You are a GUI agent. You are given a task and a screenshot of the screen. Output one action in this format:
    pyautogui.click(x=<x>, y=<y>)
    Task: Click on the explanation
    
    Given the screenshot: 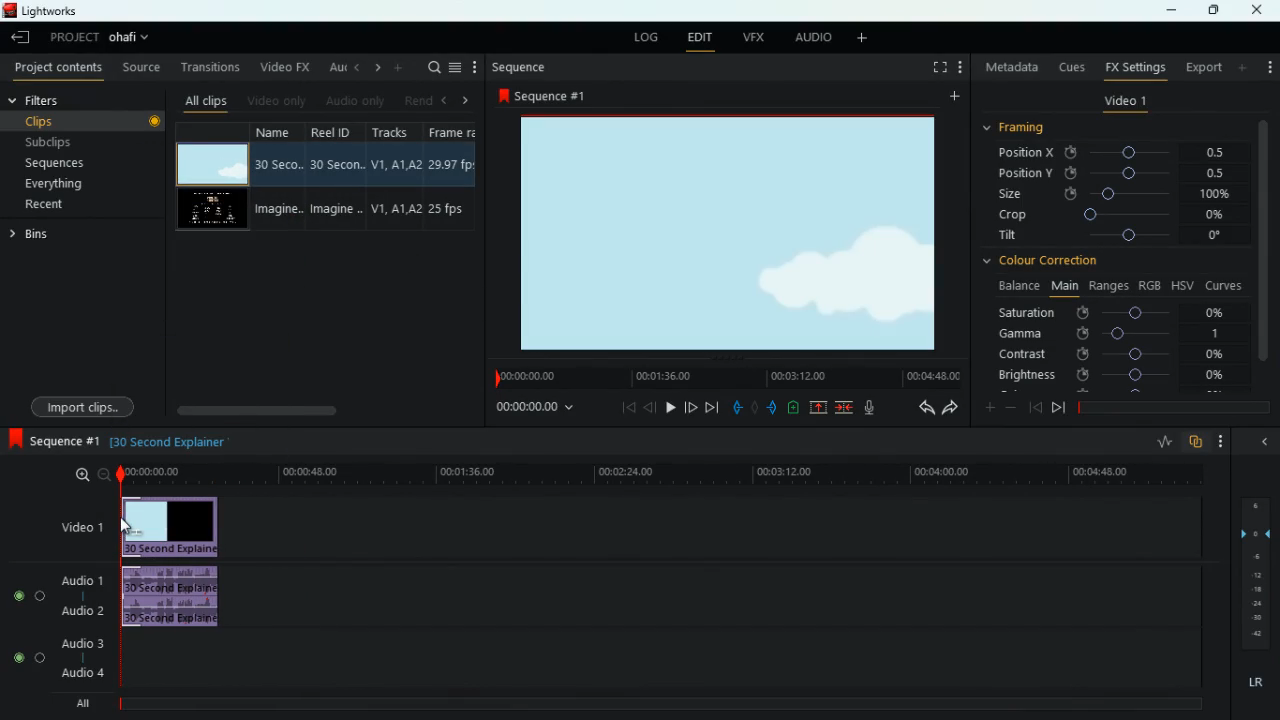 What is the action you would take?
    pyautogui.click(x=170, y=443)
    